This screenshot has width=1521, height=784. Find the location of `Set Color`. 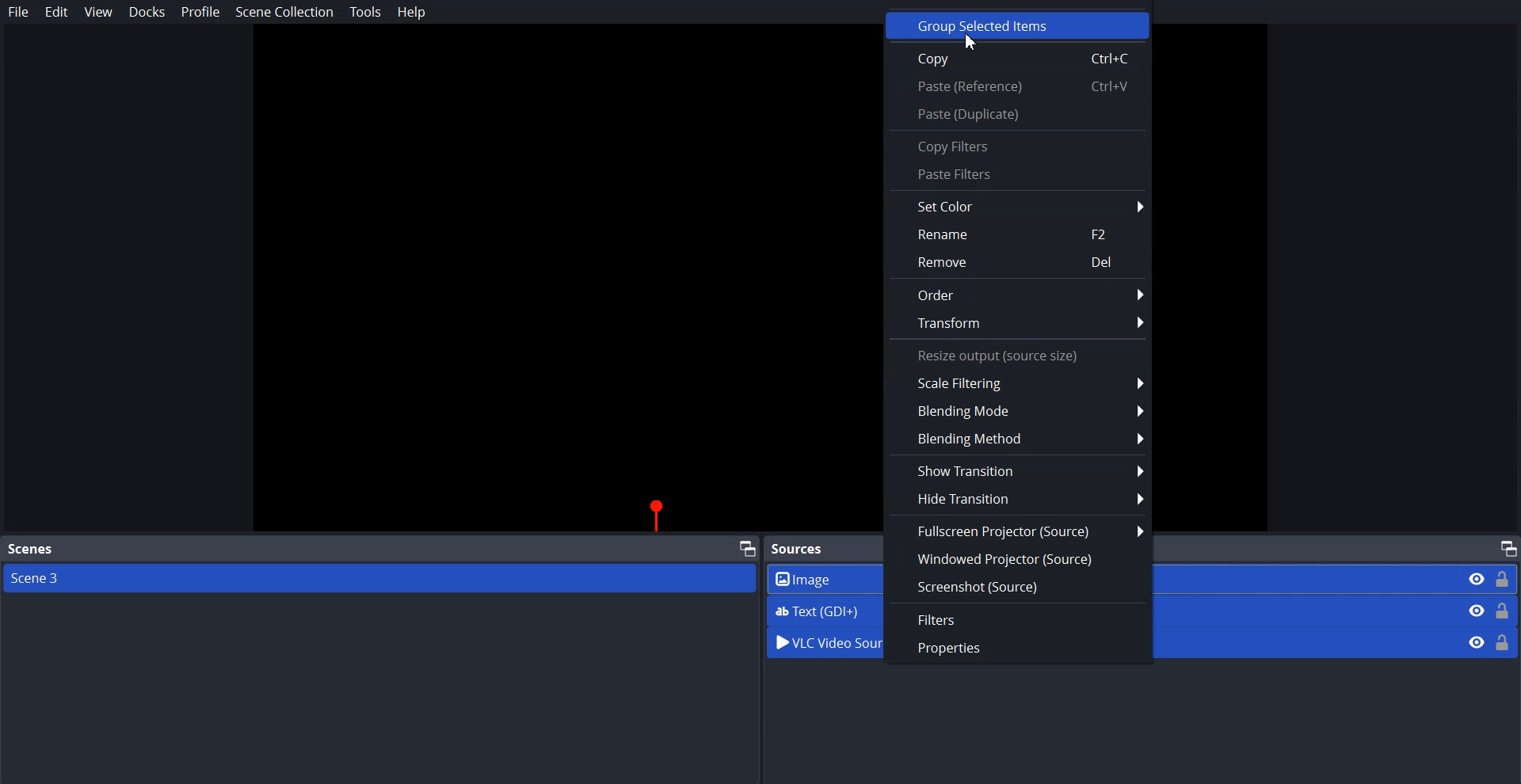

Set Color is located at coordinates (1003, 207).